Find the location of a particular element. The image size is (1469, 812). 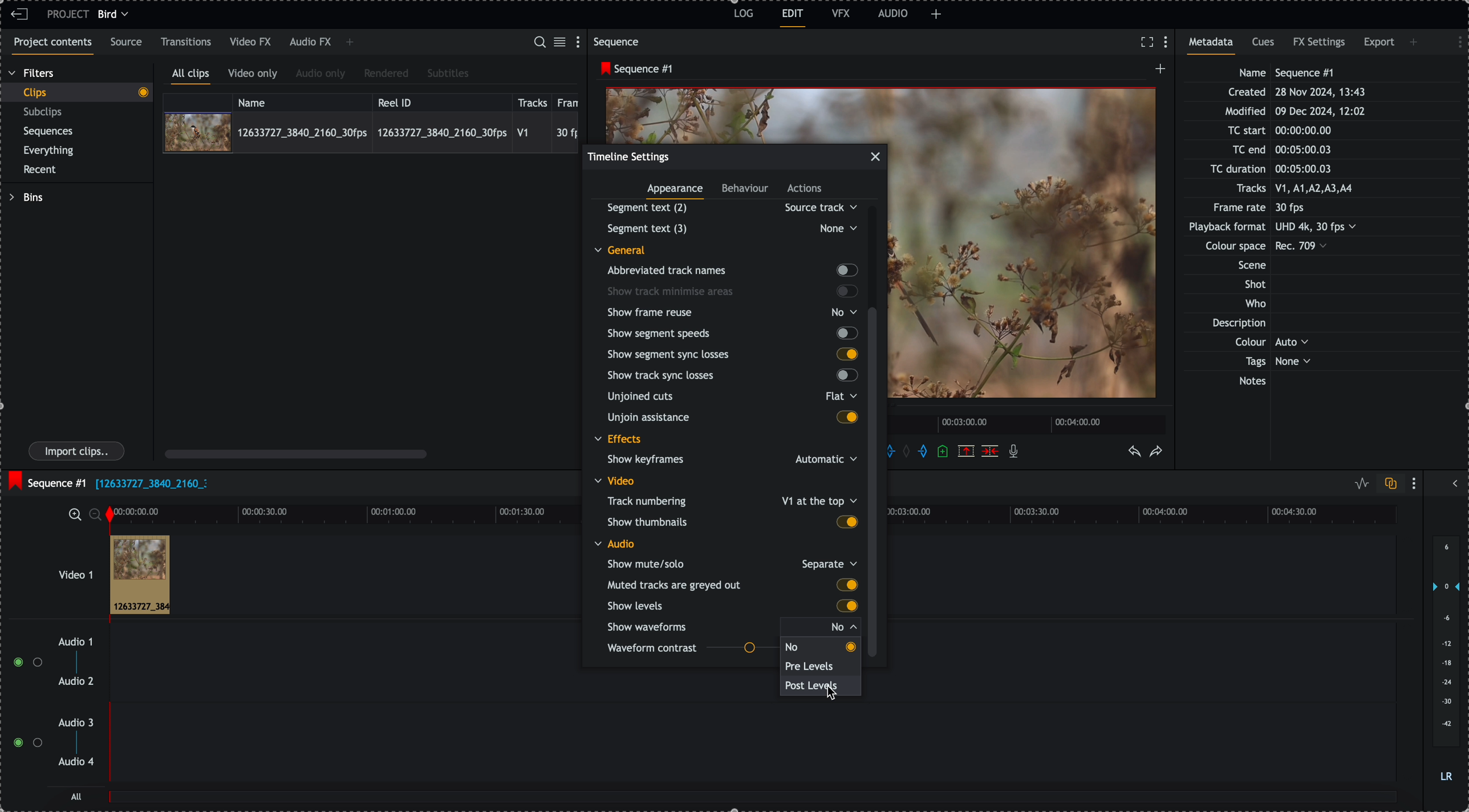

 is located at coordinates (730, 228).